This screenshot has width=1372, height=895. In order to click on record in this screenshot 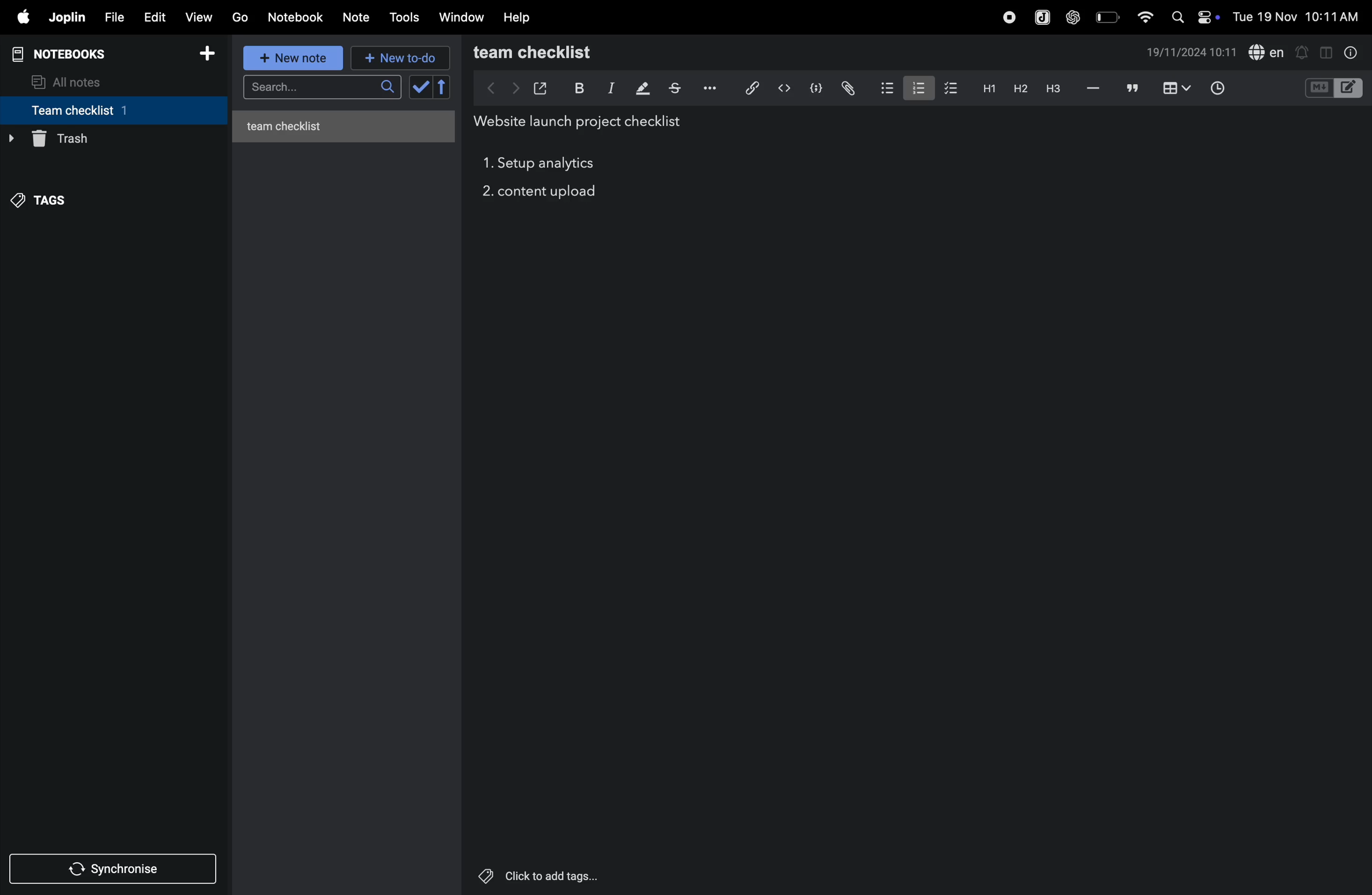, I will do `click(1005, 17)`.